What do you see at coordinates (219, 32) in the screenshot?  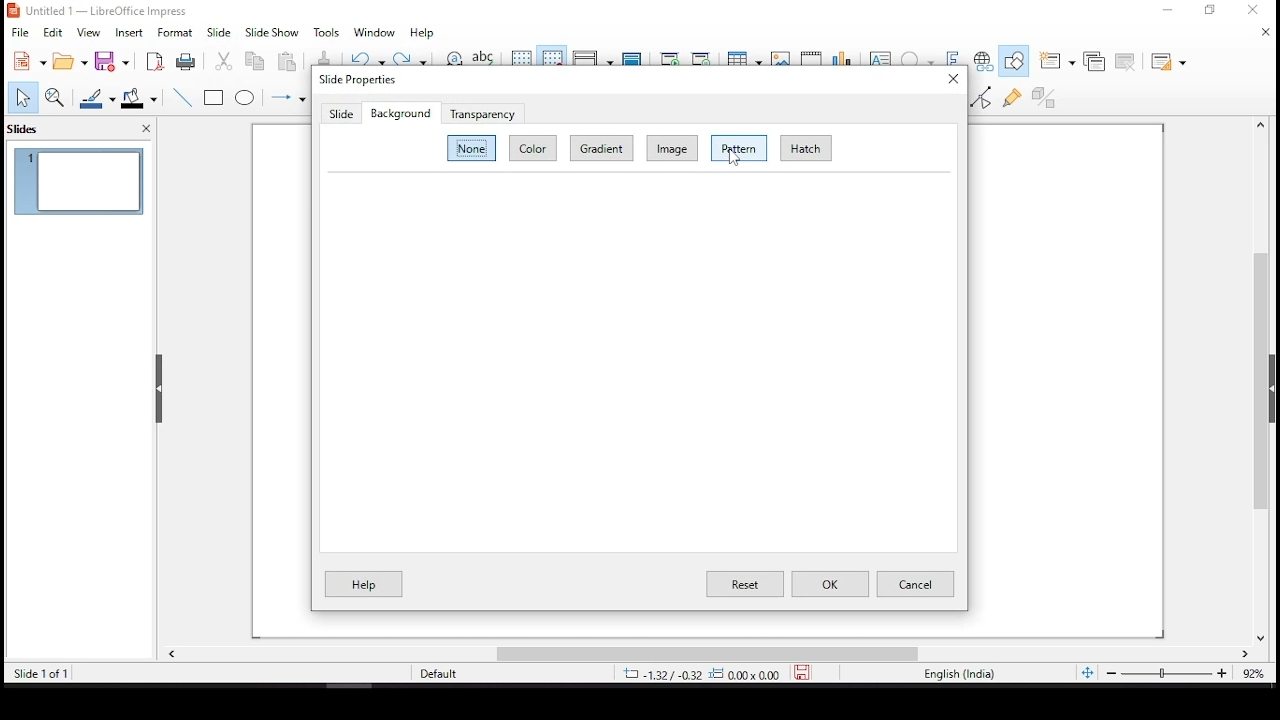 I see `slide` at bounding box center [219, 32].